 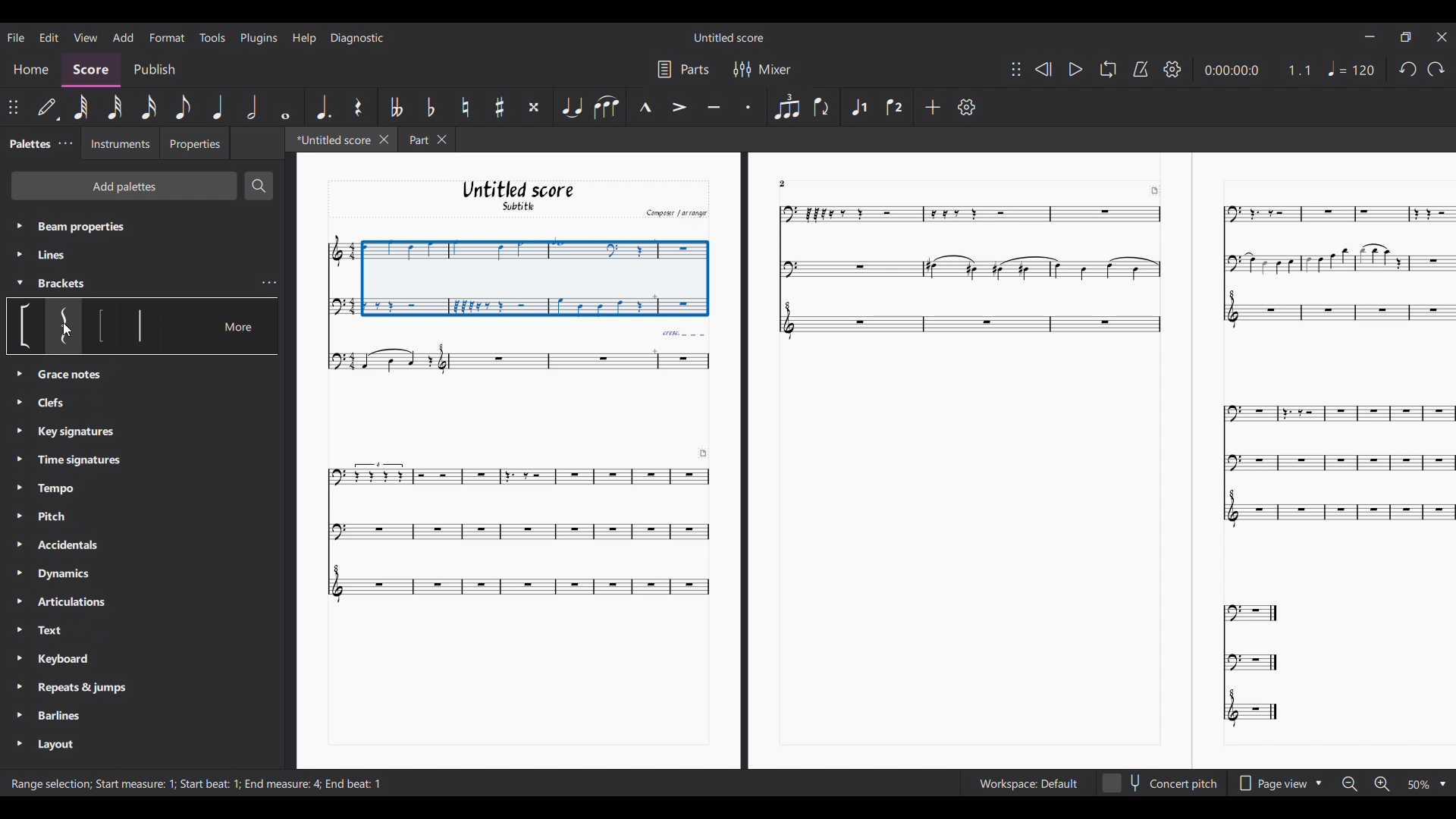 I want to click on Format, so click(x=168, y=37).